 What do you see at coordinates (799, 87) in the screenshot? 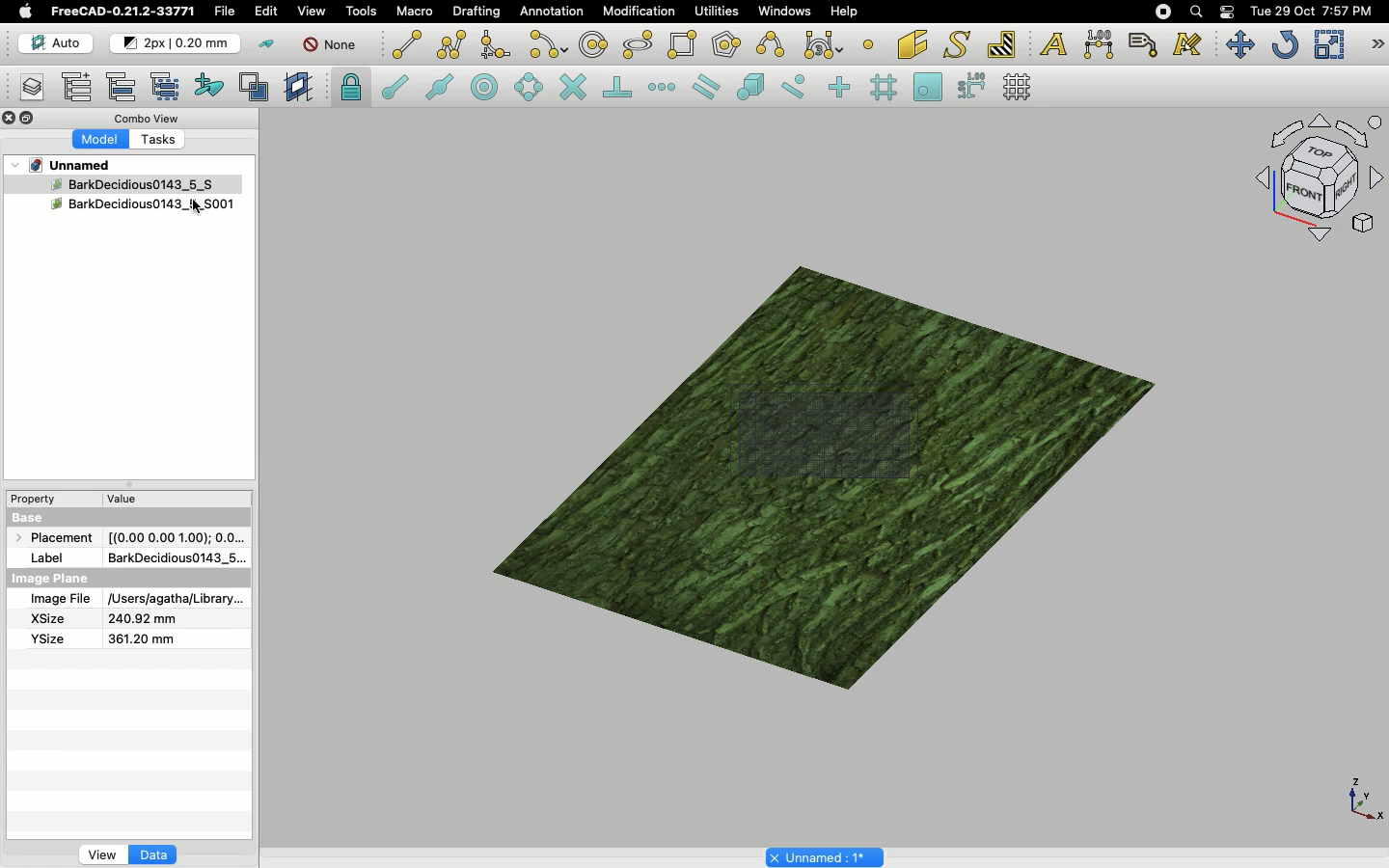
I see `Snap near` at bounding box center [799, 87].